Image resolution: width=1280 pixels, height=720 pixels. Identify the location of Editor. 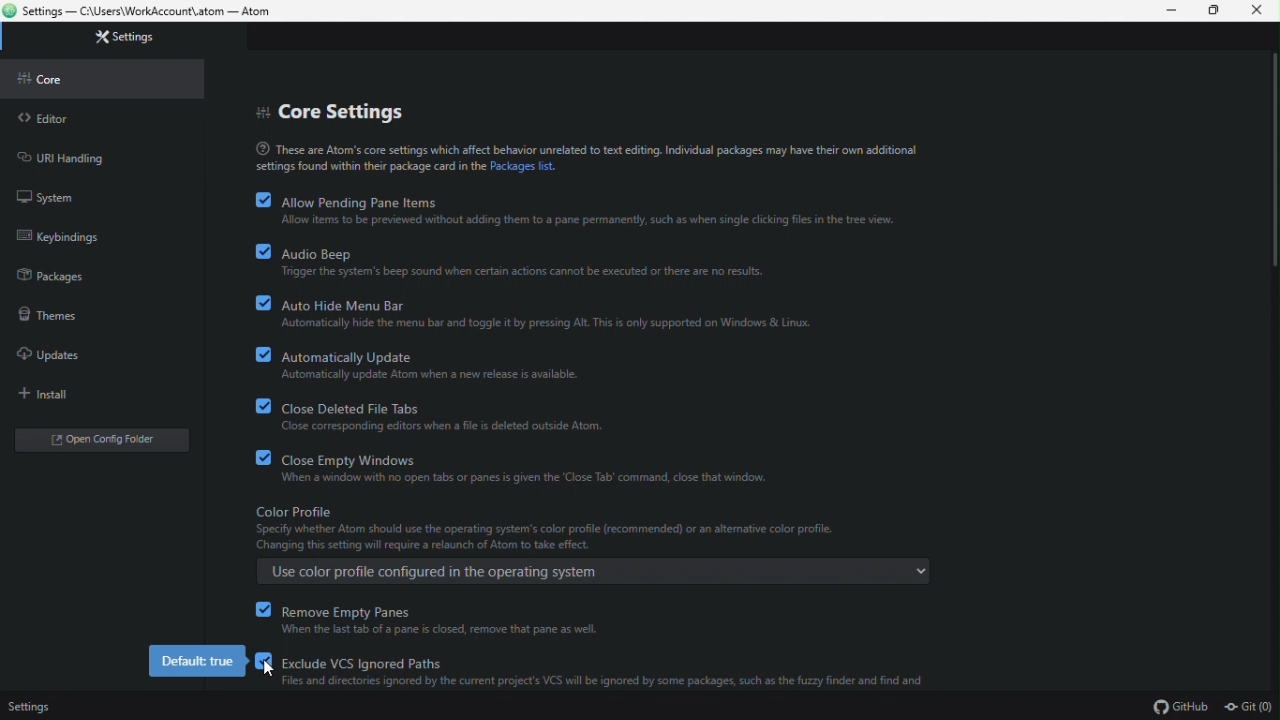
(102, 117).